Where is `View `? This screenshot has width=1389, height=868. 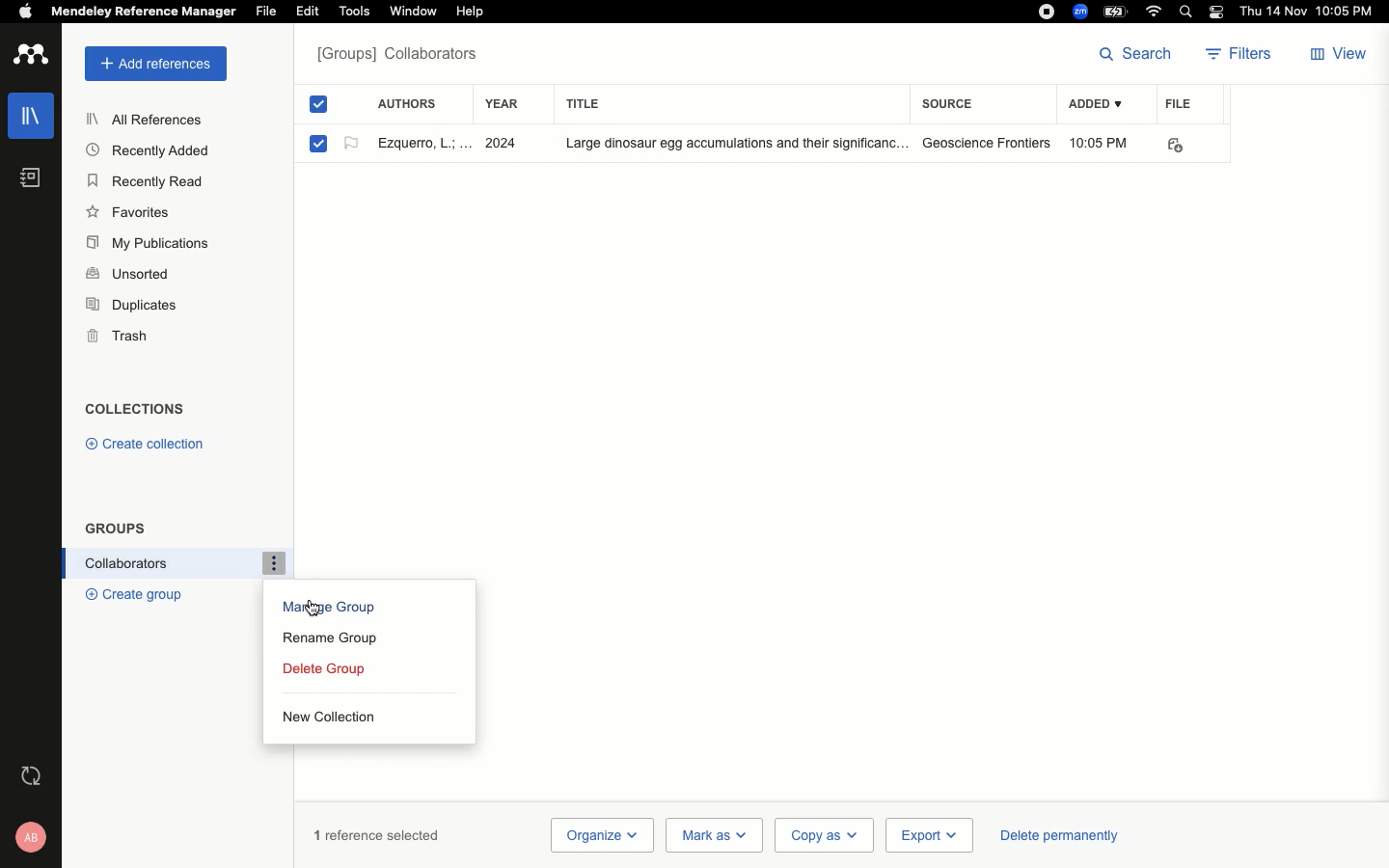
View  is located at coordinates (1341, 55).